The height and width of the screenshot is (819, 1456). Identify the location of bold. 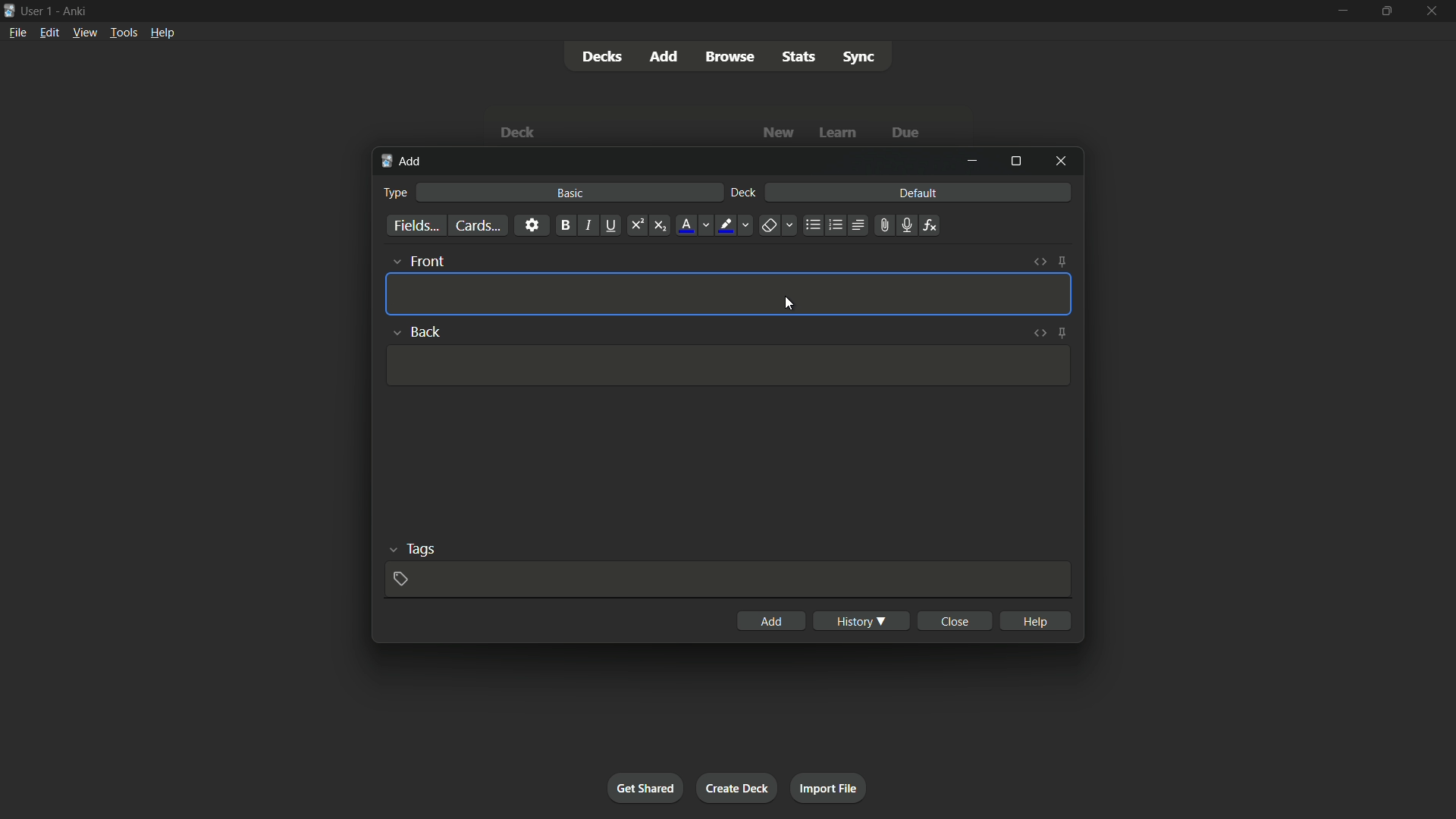
(565, 226).